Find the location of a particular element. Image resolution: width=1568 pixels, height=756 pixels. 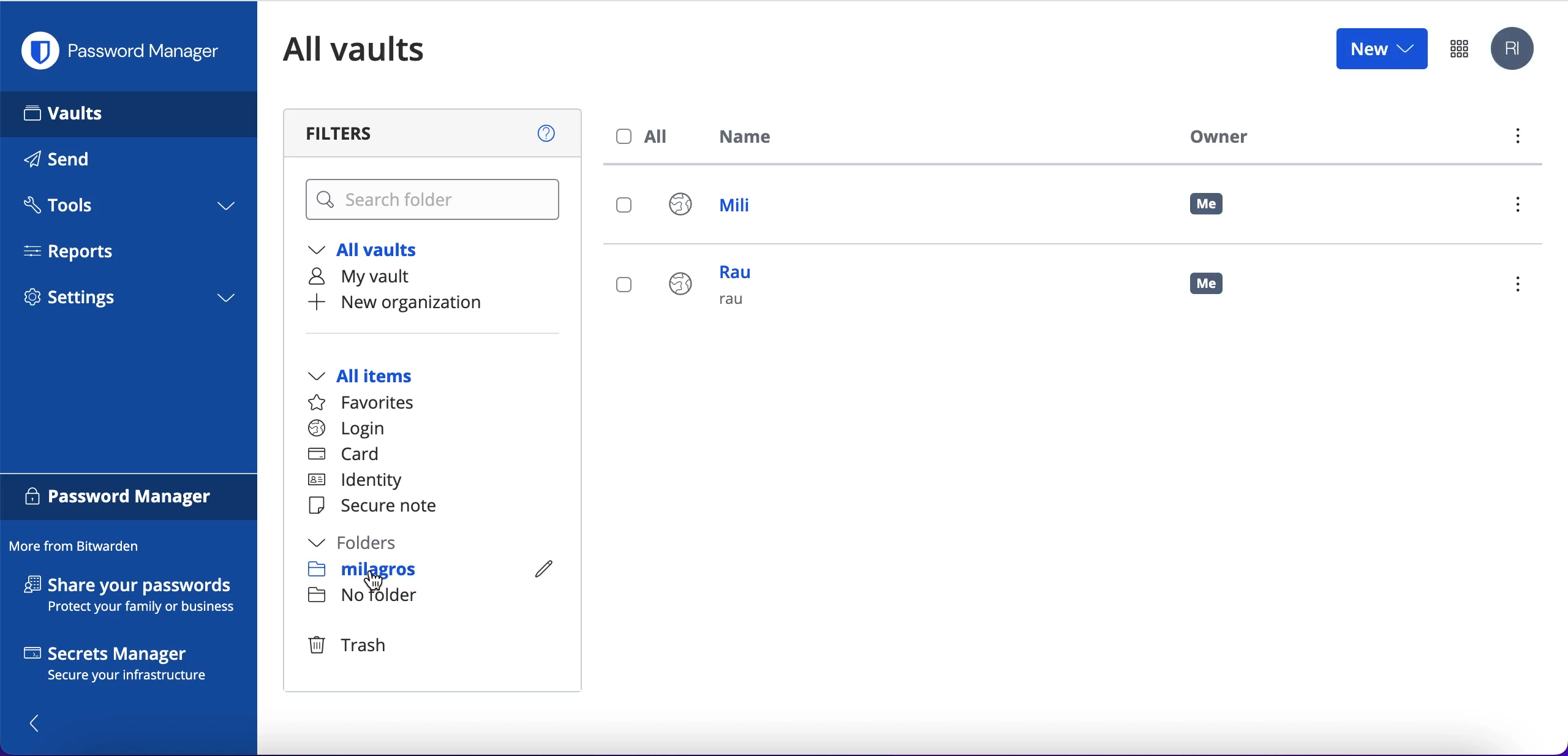

identity is located at coordinates (361, 481).